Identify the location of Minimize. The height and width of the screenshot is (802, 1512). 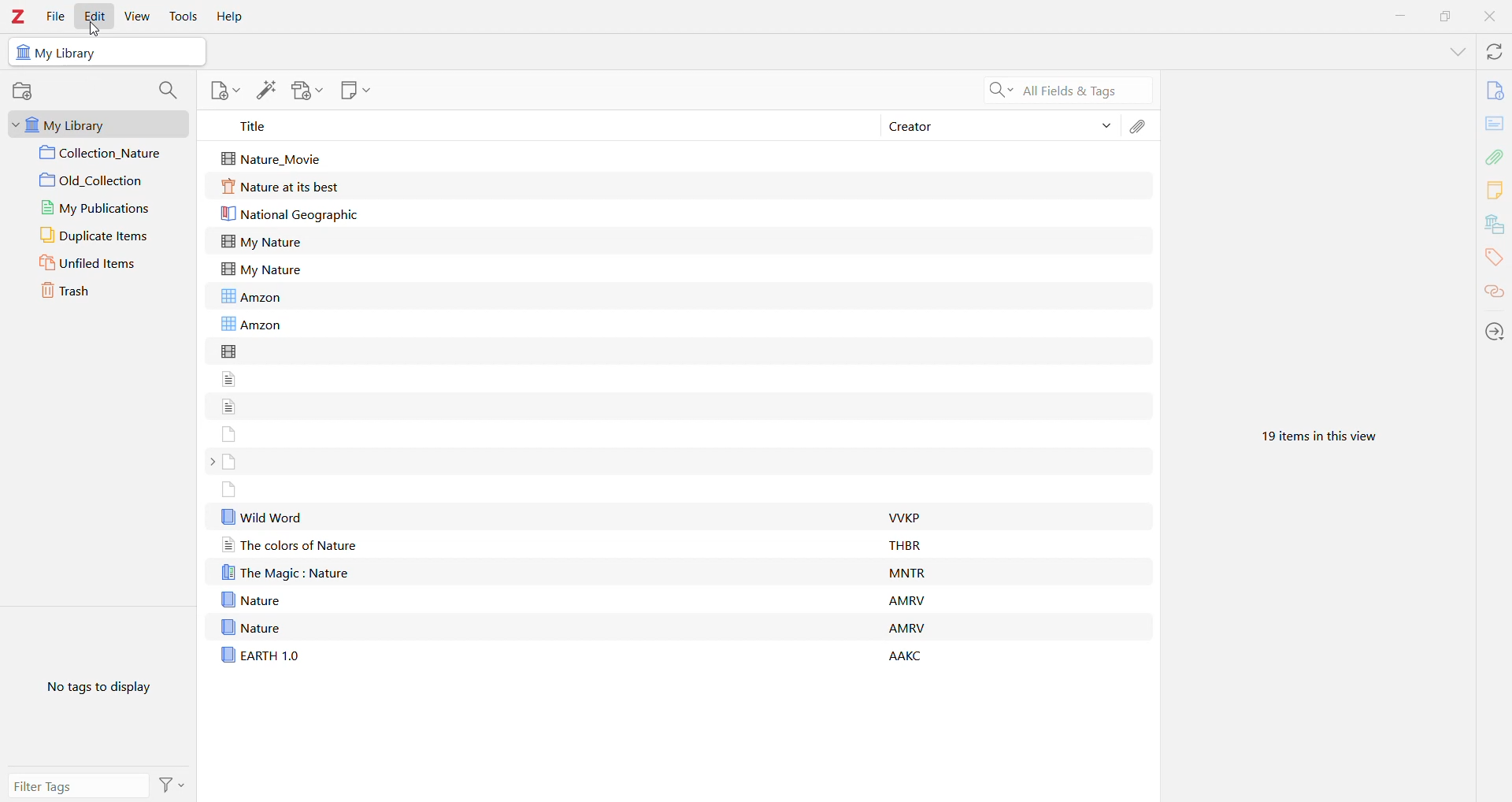
(1402, 17).